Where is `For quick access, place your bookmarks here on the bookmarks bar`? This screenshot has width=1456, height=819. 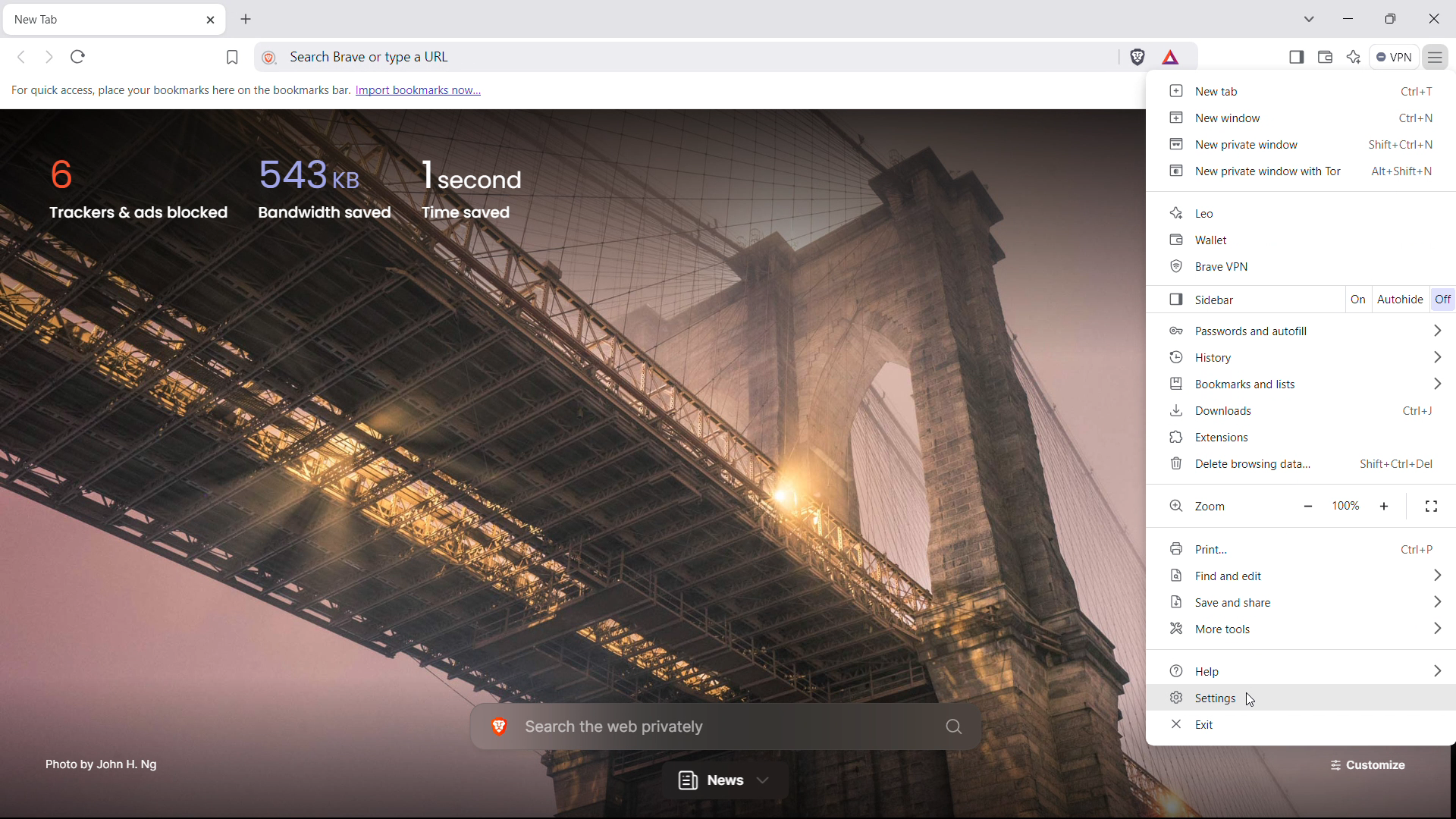
For quick access, place your bookmarks here on the bookmarks bar is located at coordinates (175, 89).